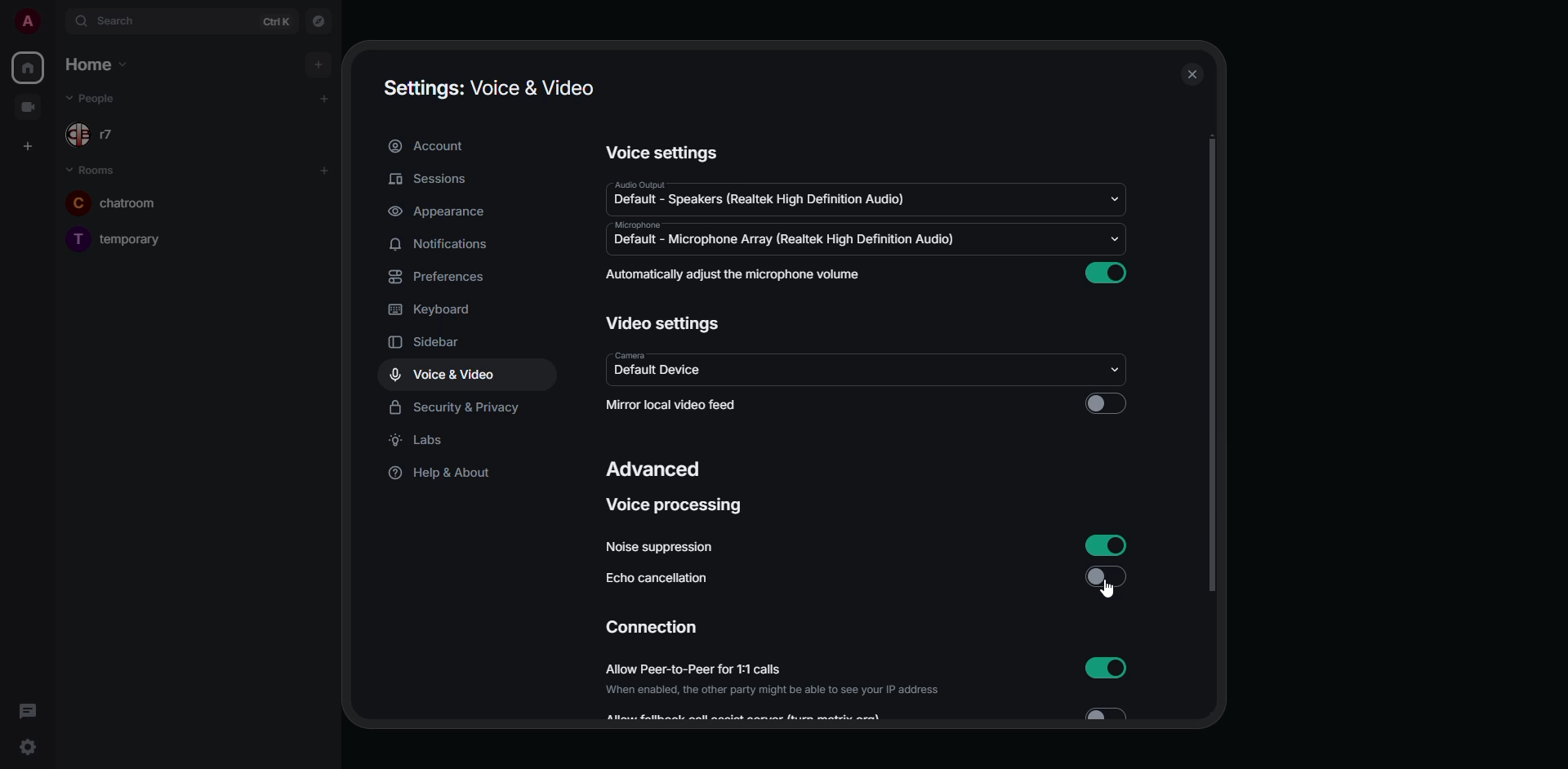  Describe the element at coordinates (56, 23) in the screenshot. I see `expand` at that location.